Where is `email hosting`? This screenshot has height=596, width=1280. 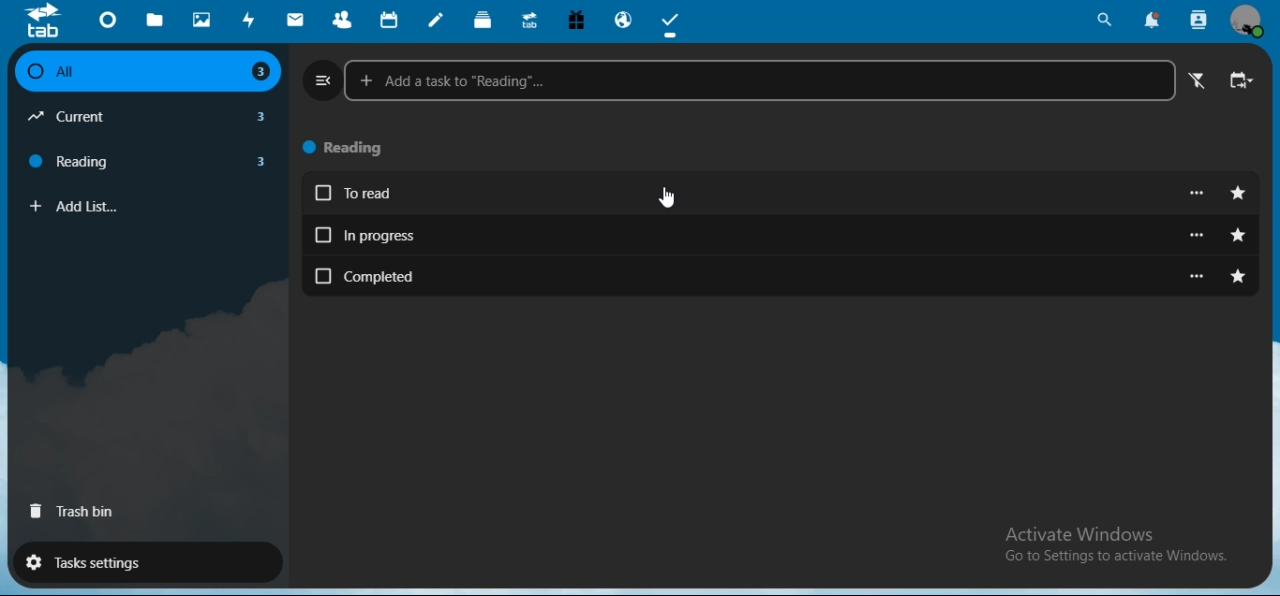
email hosting is located at coordinates (625, 21).